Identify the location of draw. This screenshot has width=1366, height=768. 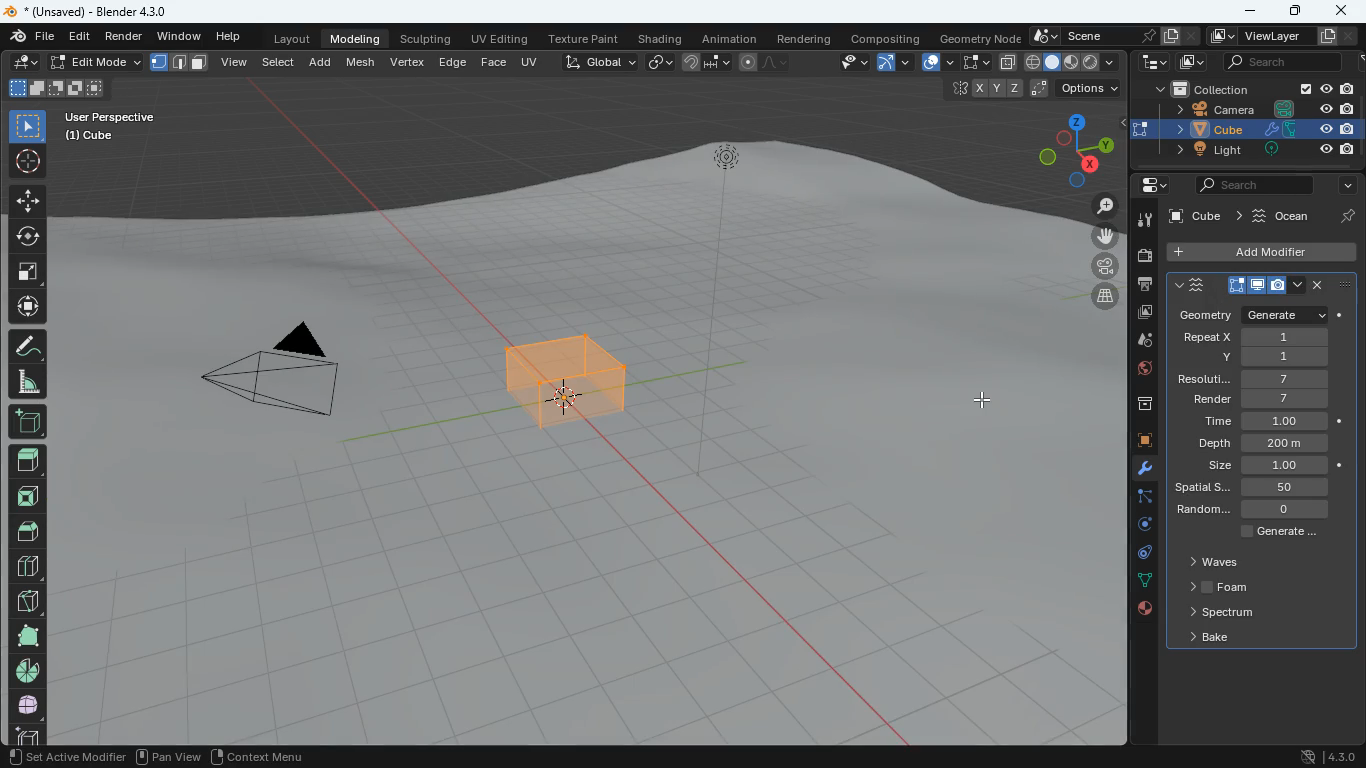
(26, 345).